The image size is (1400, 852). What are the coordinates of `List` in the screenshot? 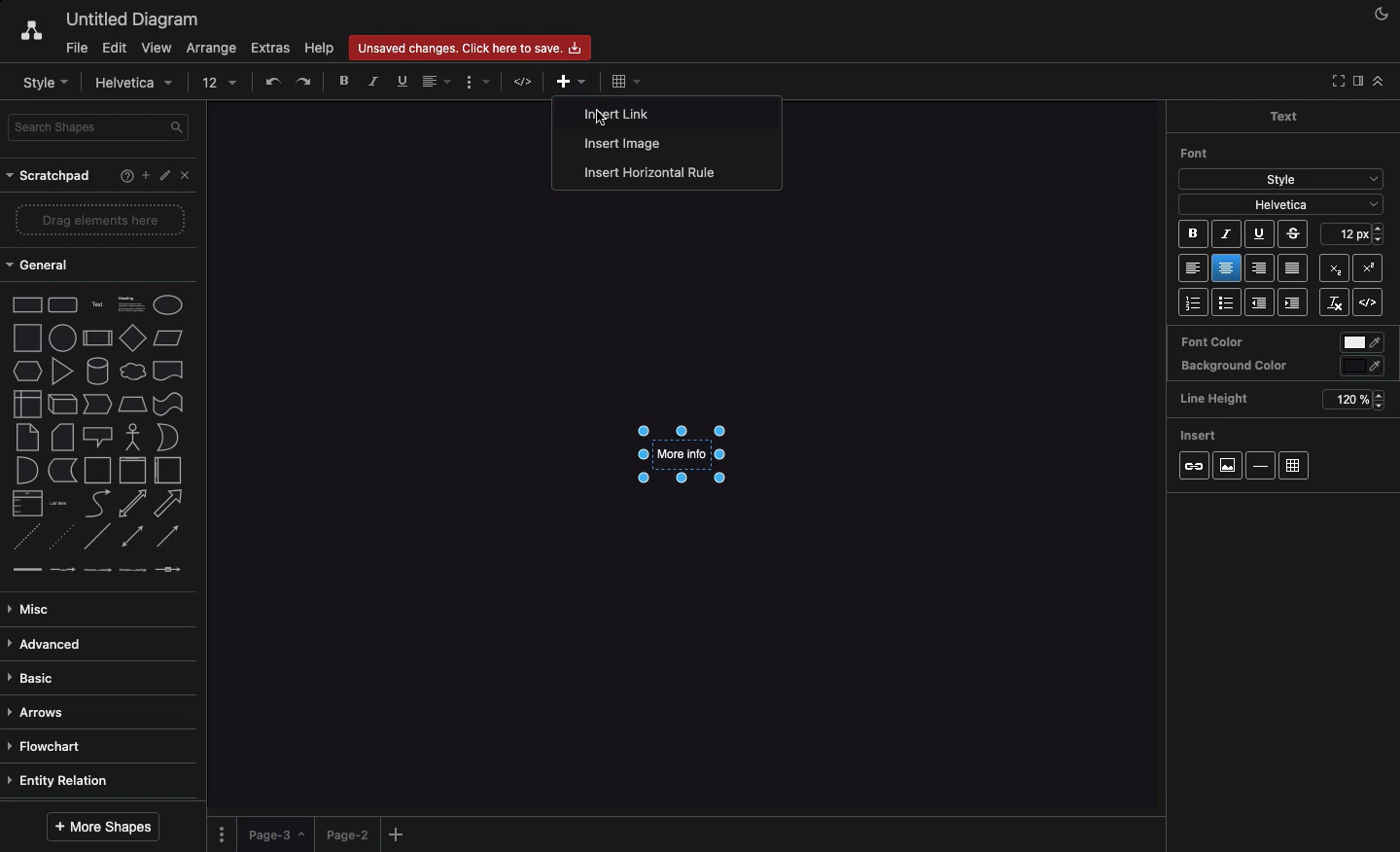 It's located at (1192, 302).